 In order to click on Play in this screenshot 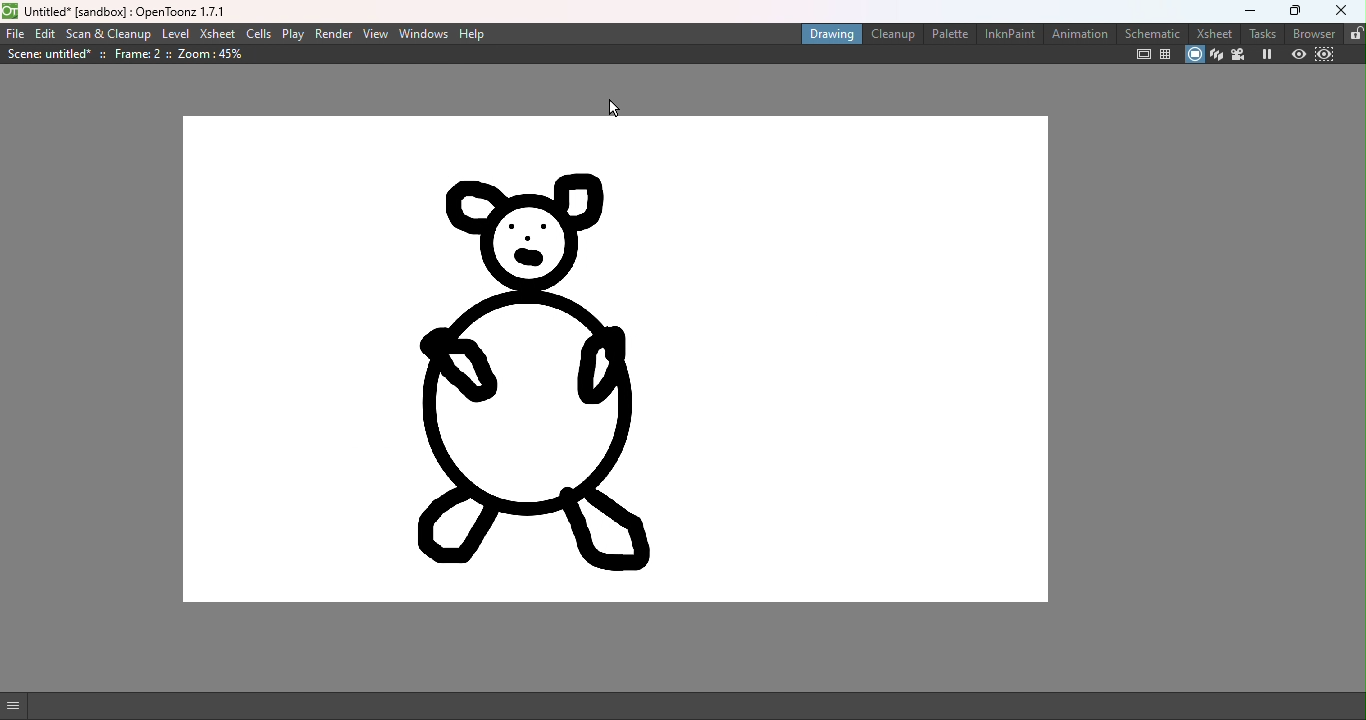, I will do `click(293, 34)`.